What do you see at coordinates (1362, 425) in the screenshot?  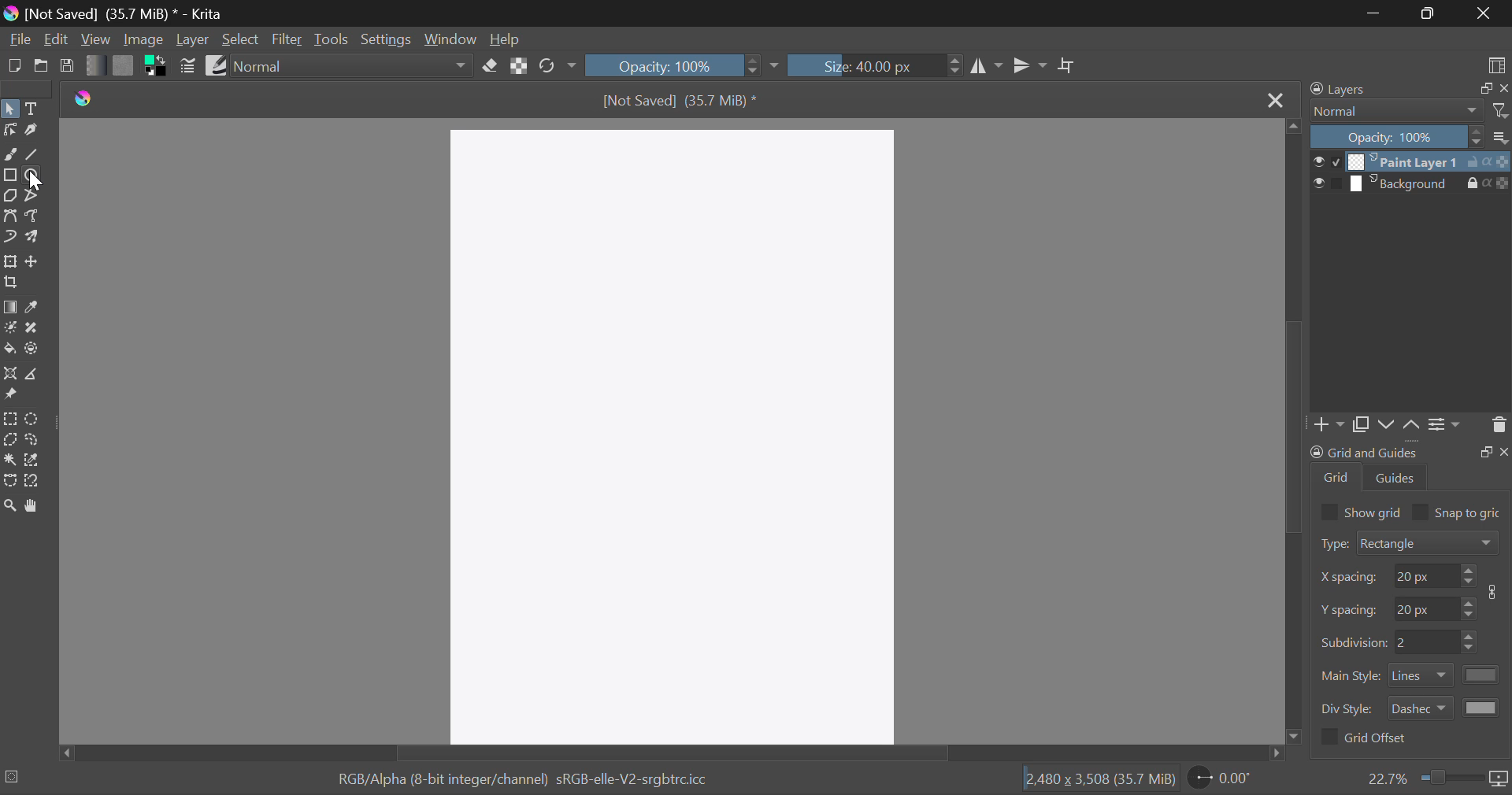 I see `Copy Layers` at bounding box center [1362, 425].